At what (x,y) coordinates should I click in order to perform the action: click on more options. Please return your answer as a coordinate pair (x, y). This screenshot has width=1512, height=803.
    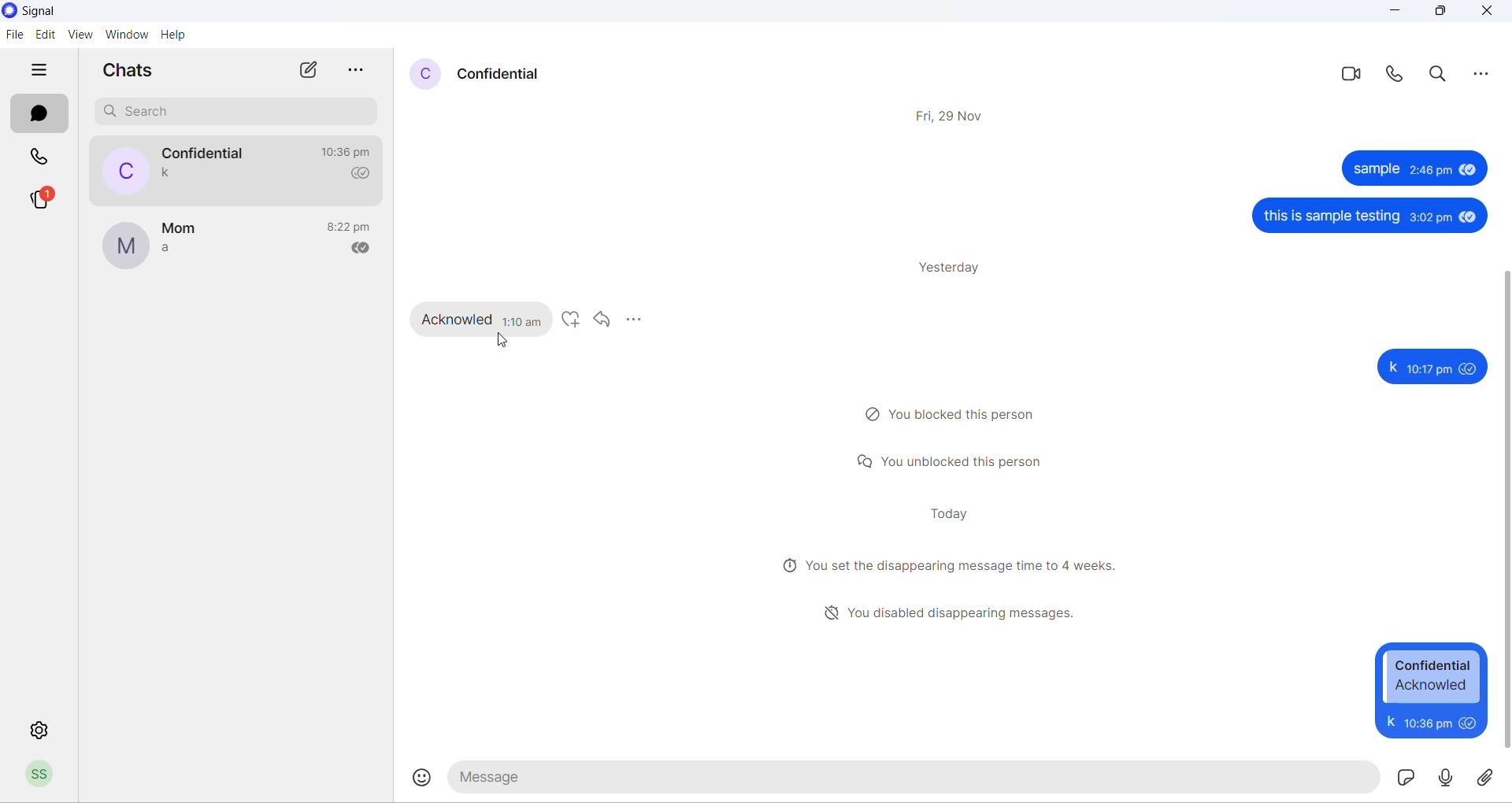
    Looking at the image, I should click on (365, 68).